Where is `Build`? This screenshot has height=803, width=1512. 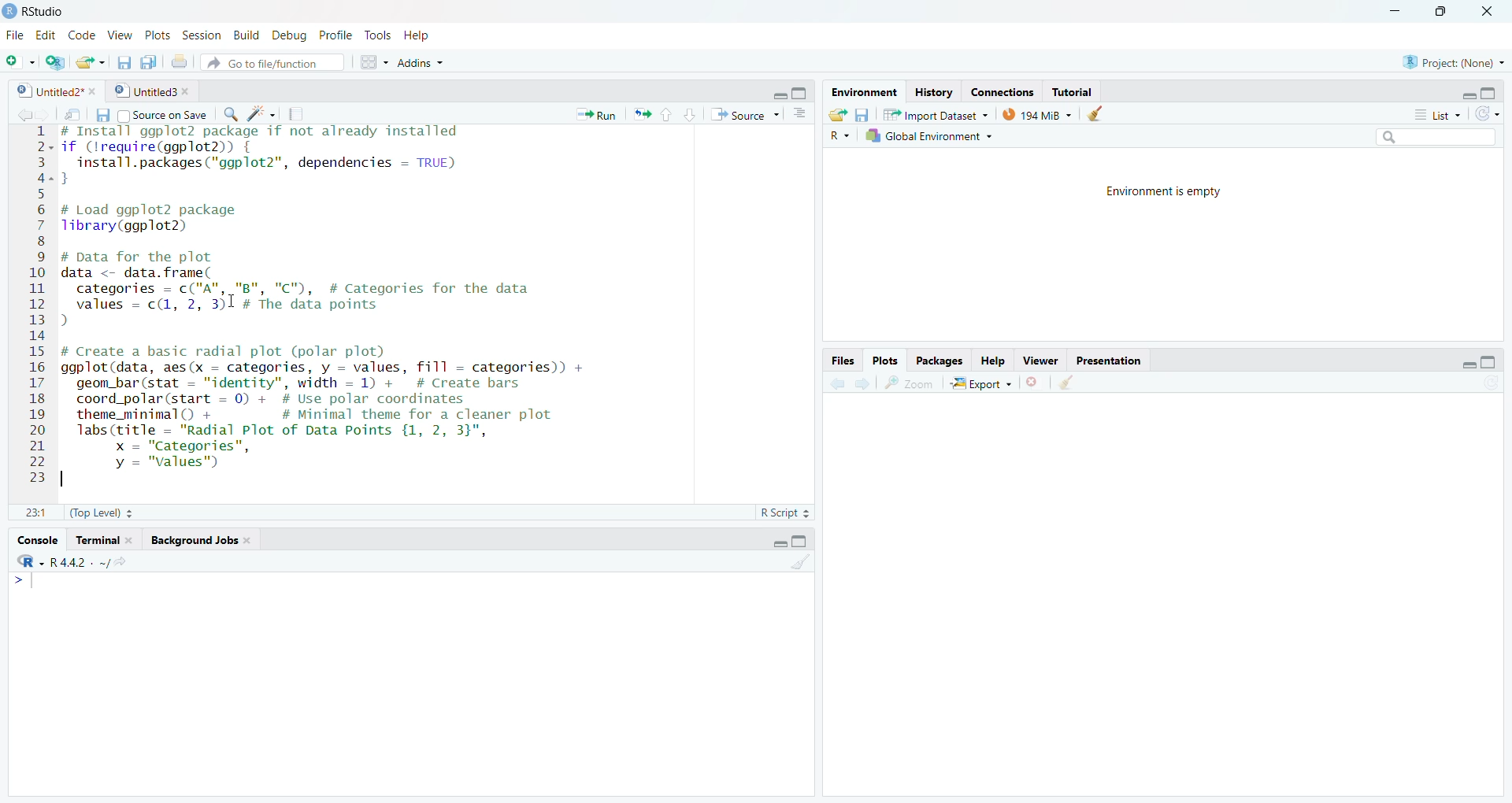 Build is located at coordinates (244, 35).